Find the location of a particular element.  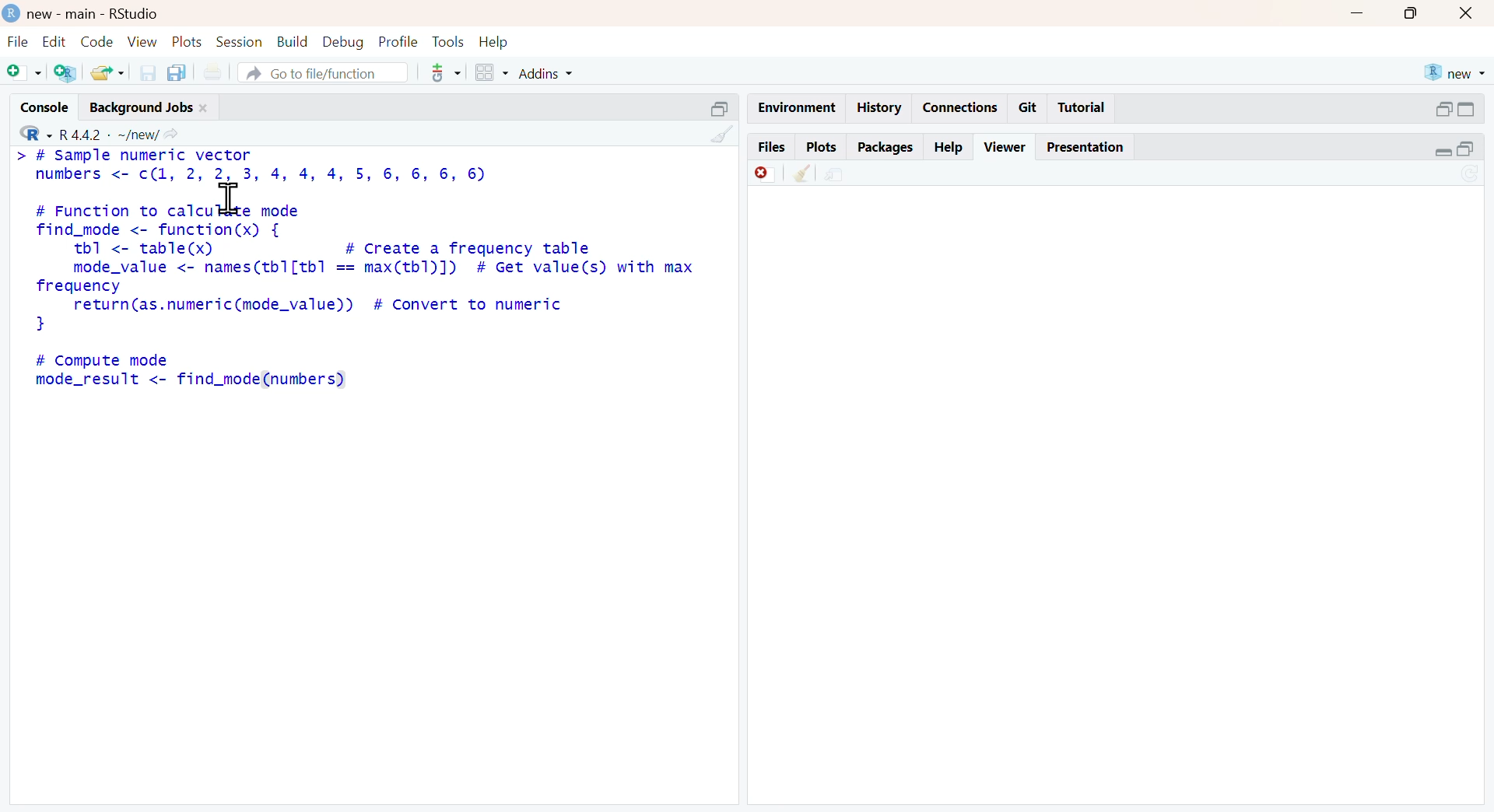

presentation is located at coordinates (1086, 147).